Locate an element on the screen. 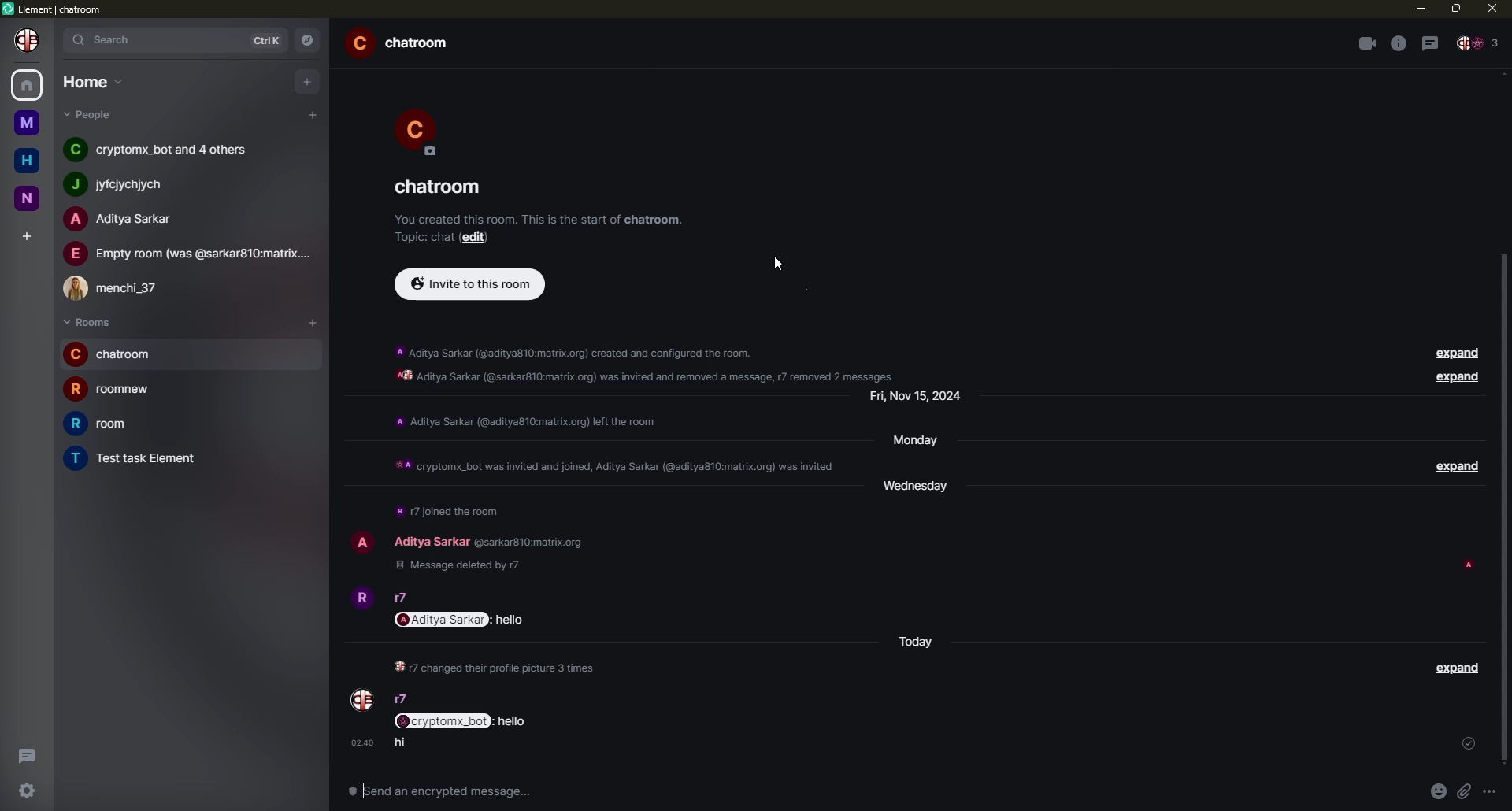 Image resolution: width=1512 pixels, height=811 pixels. add is located at coordinates (25, 233).